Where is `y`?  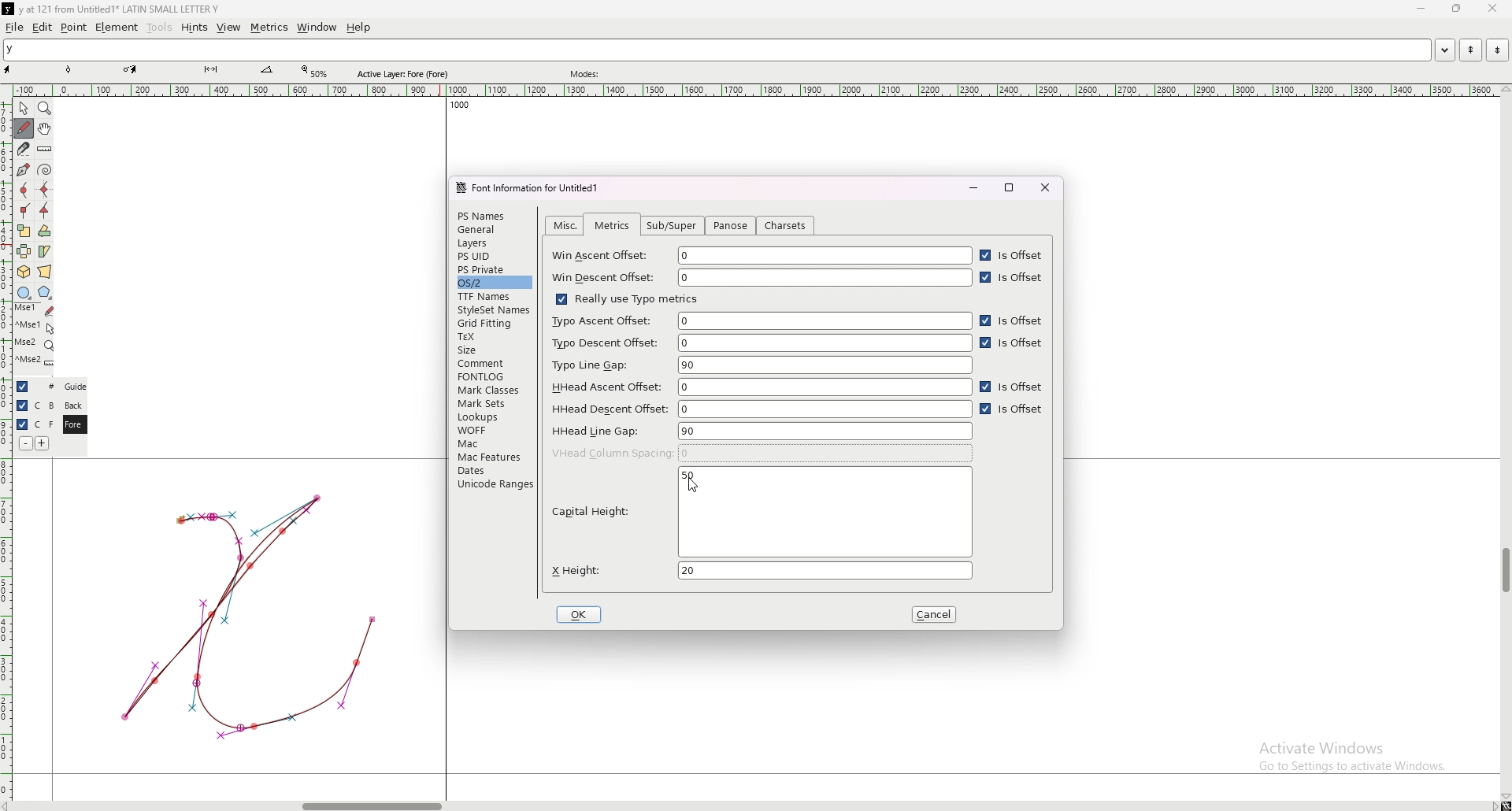 y is located at coordinates (717, 50).